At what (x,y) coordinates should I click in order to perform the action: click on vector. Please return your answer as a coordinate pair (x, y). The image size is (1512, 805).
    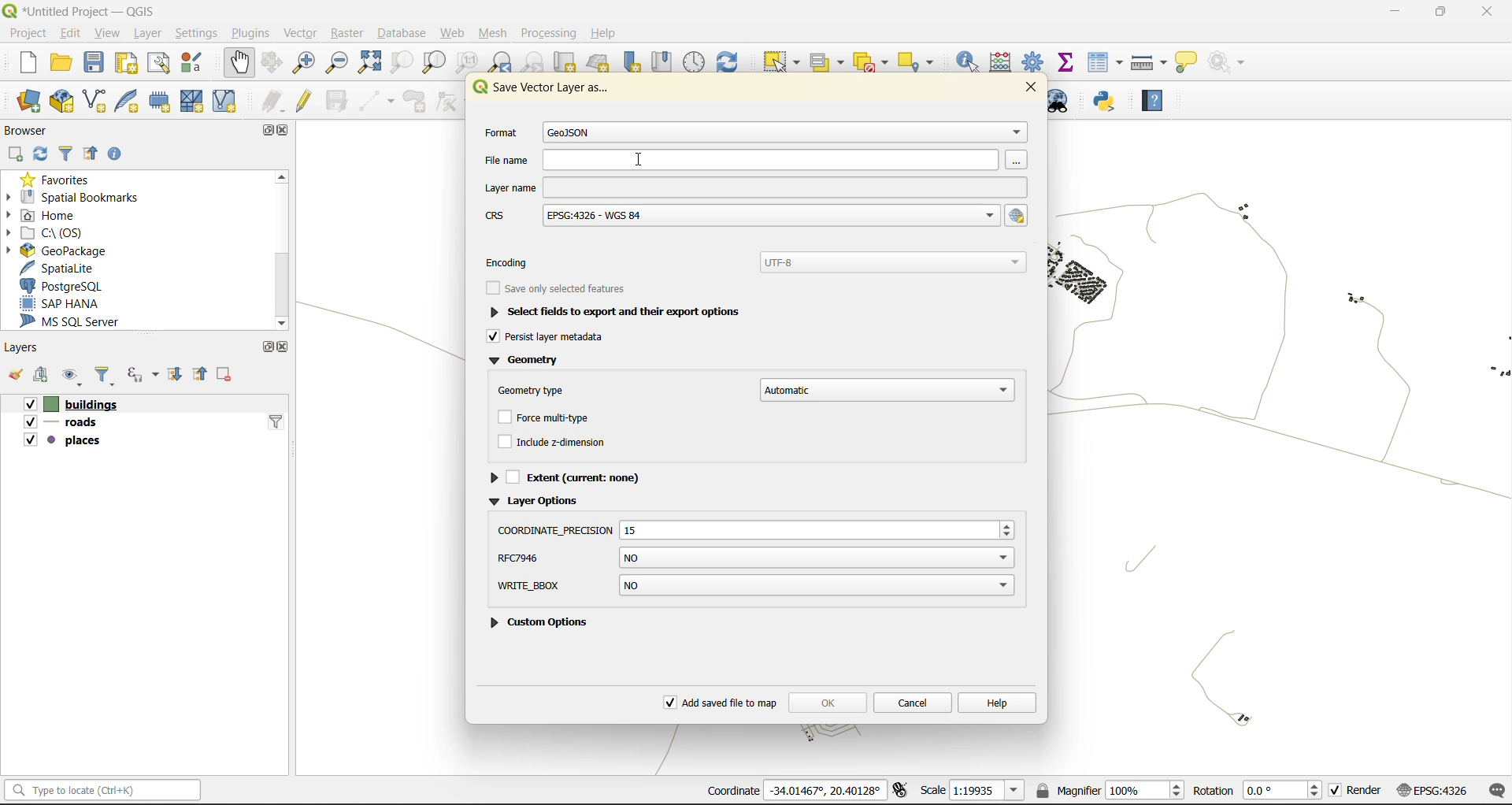
    Looking at the image, I should click on (306, 35).